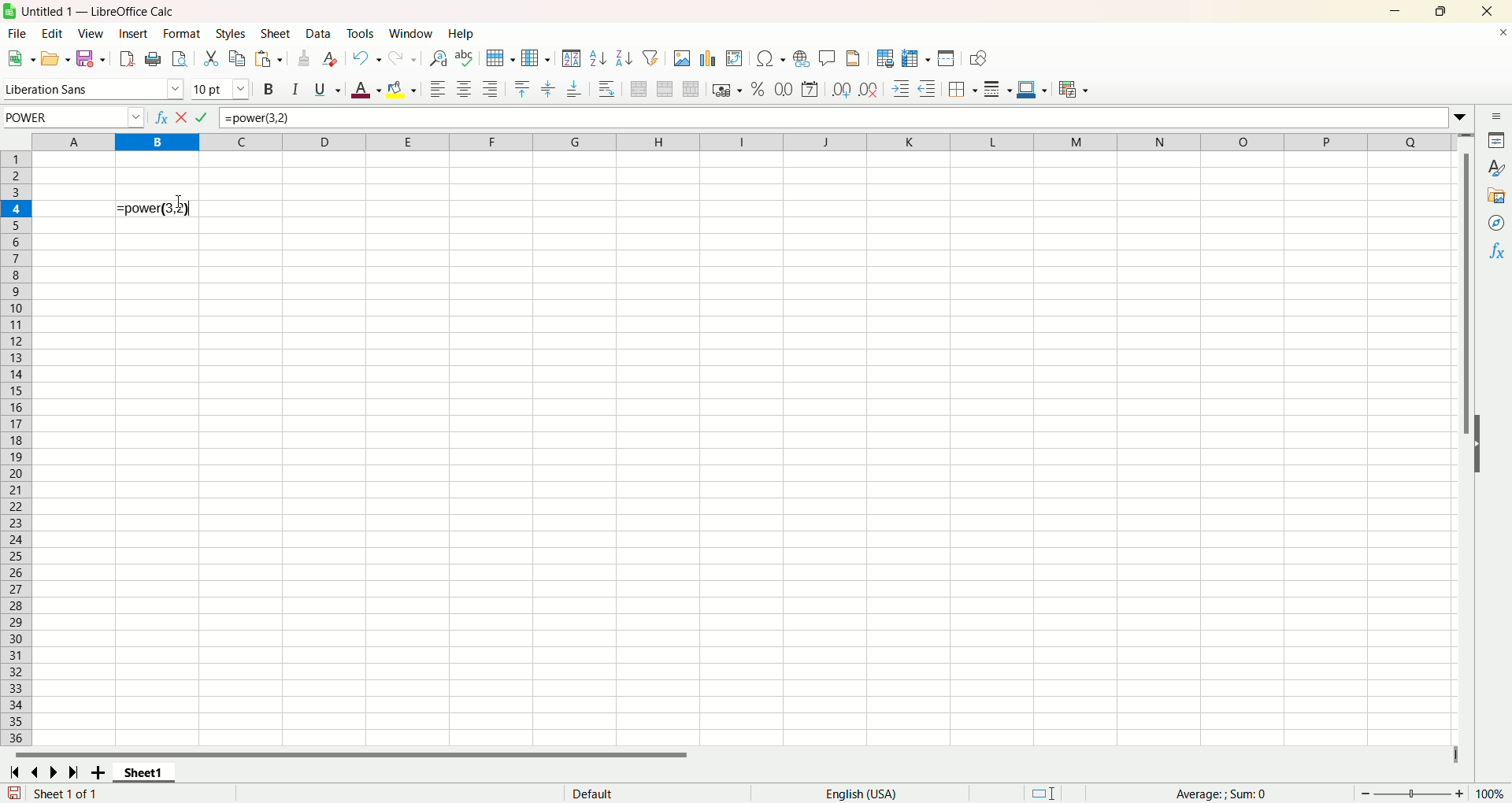  I want to click on remove decimal place, so click(869, 90).